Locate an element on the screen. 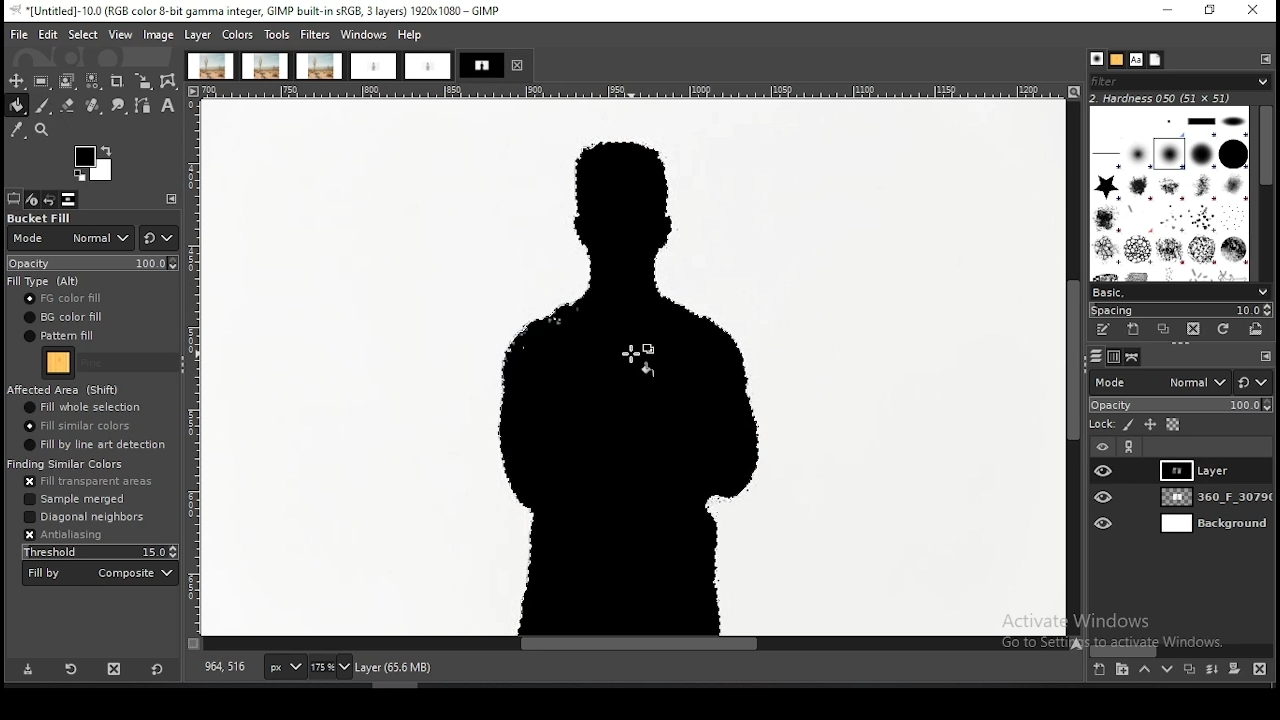 Image resolution: width=1280 pixels, height=720 pixels. eraser tool is located at coordinates (68, 105).